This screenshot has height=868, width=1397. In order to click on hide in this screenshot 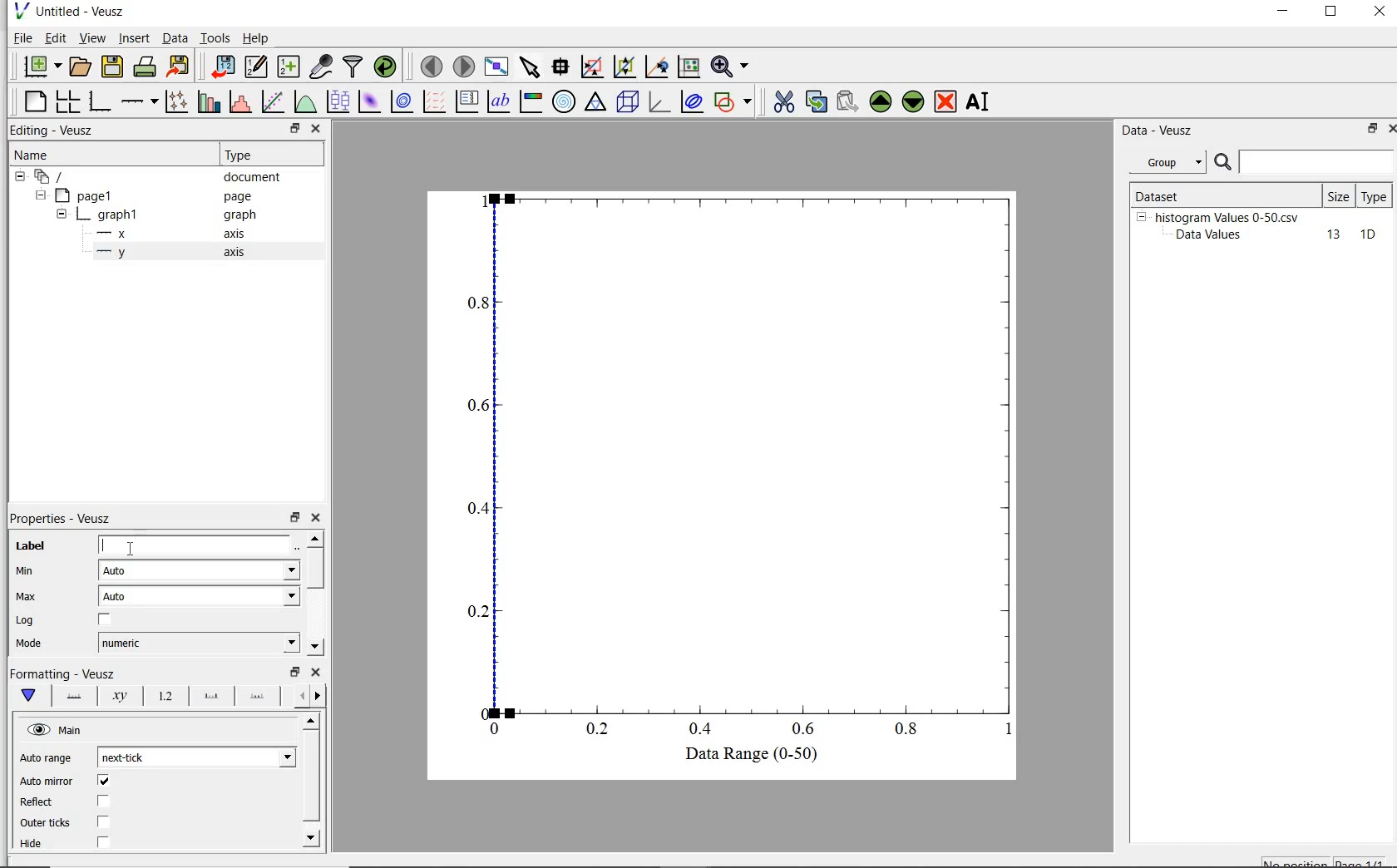, I will do `click(20, 177)`.